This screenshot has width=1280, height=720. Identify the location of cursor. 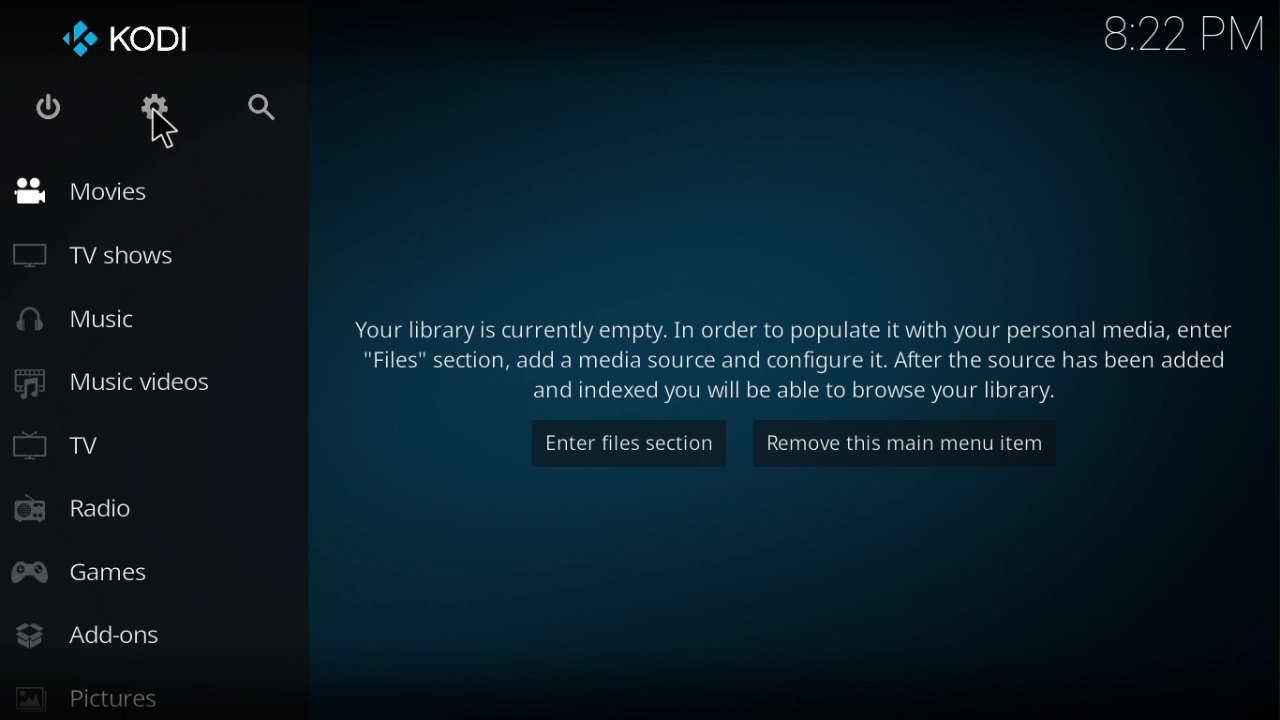
(163, 132).